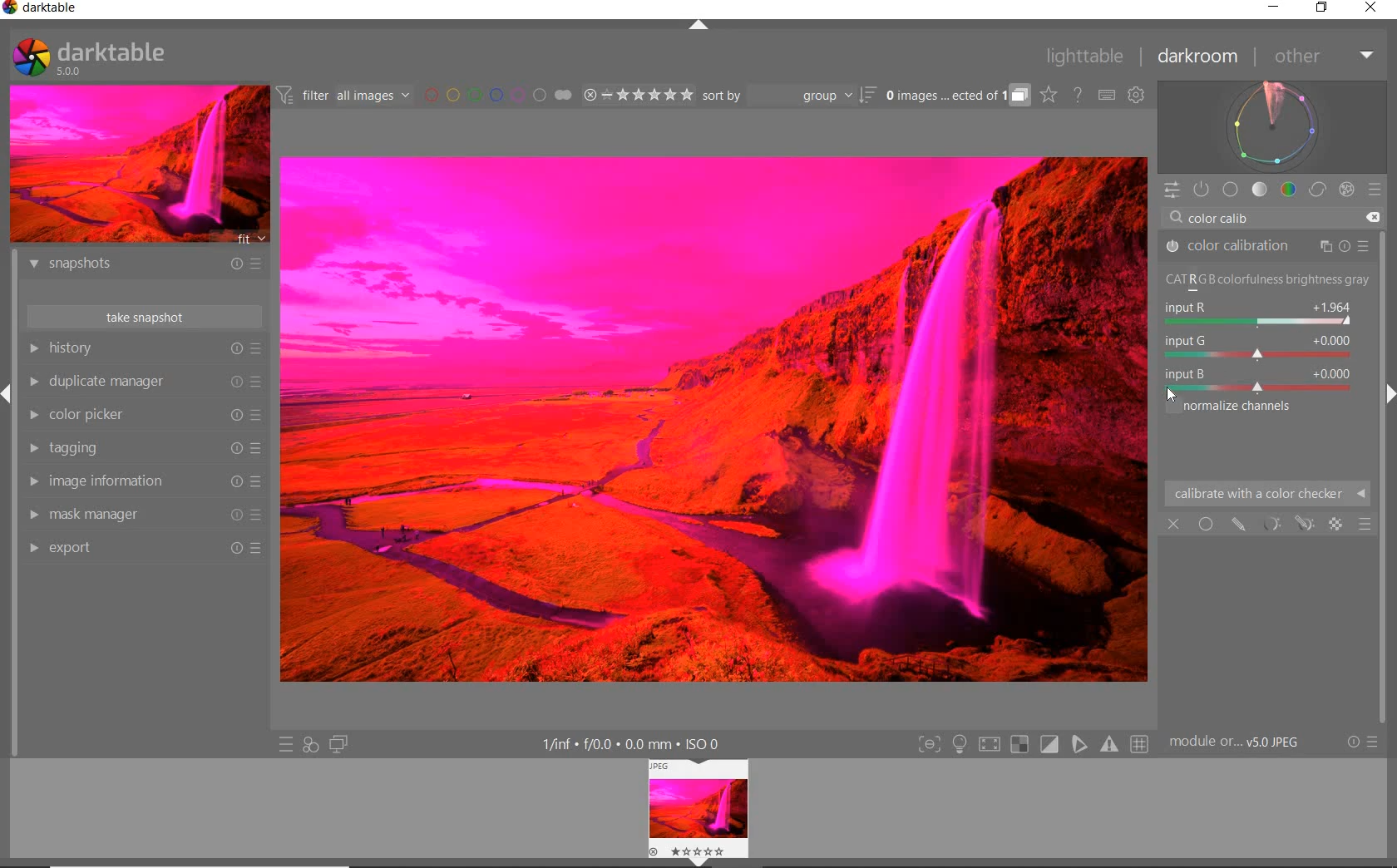 The height and width of the screenshot is (868, 1397). I want to click on DELETE, so click(1372, 218).